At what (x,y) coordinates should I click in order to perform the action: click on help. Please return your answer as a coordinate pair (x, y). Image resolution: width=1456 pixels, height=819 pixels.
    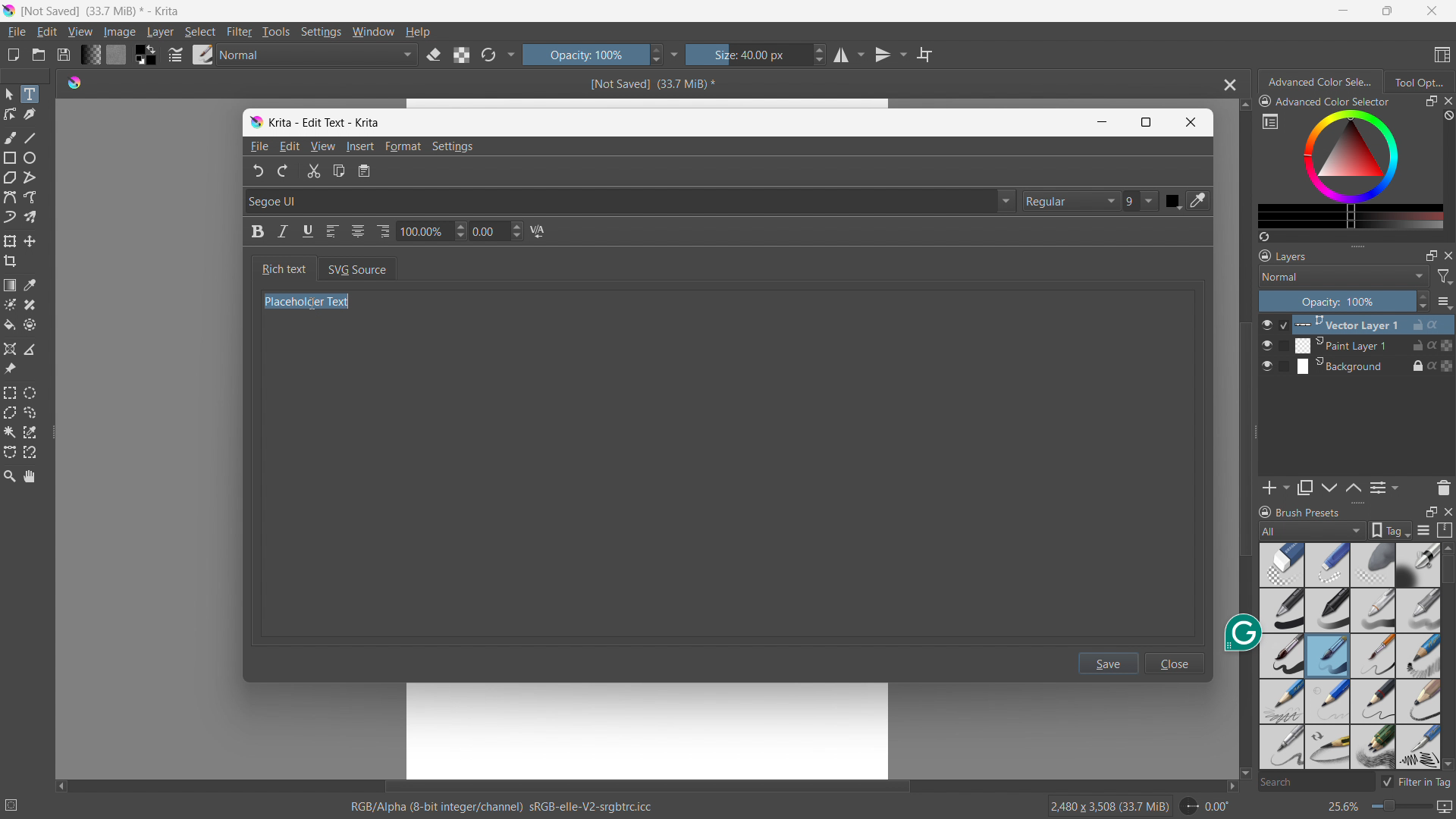
    Looking at the image, I should click on (418, 31).